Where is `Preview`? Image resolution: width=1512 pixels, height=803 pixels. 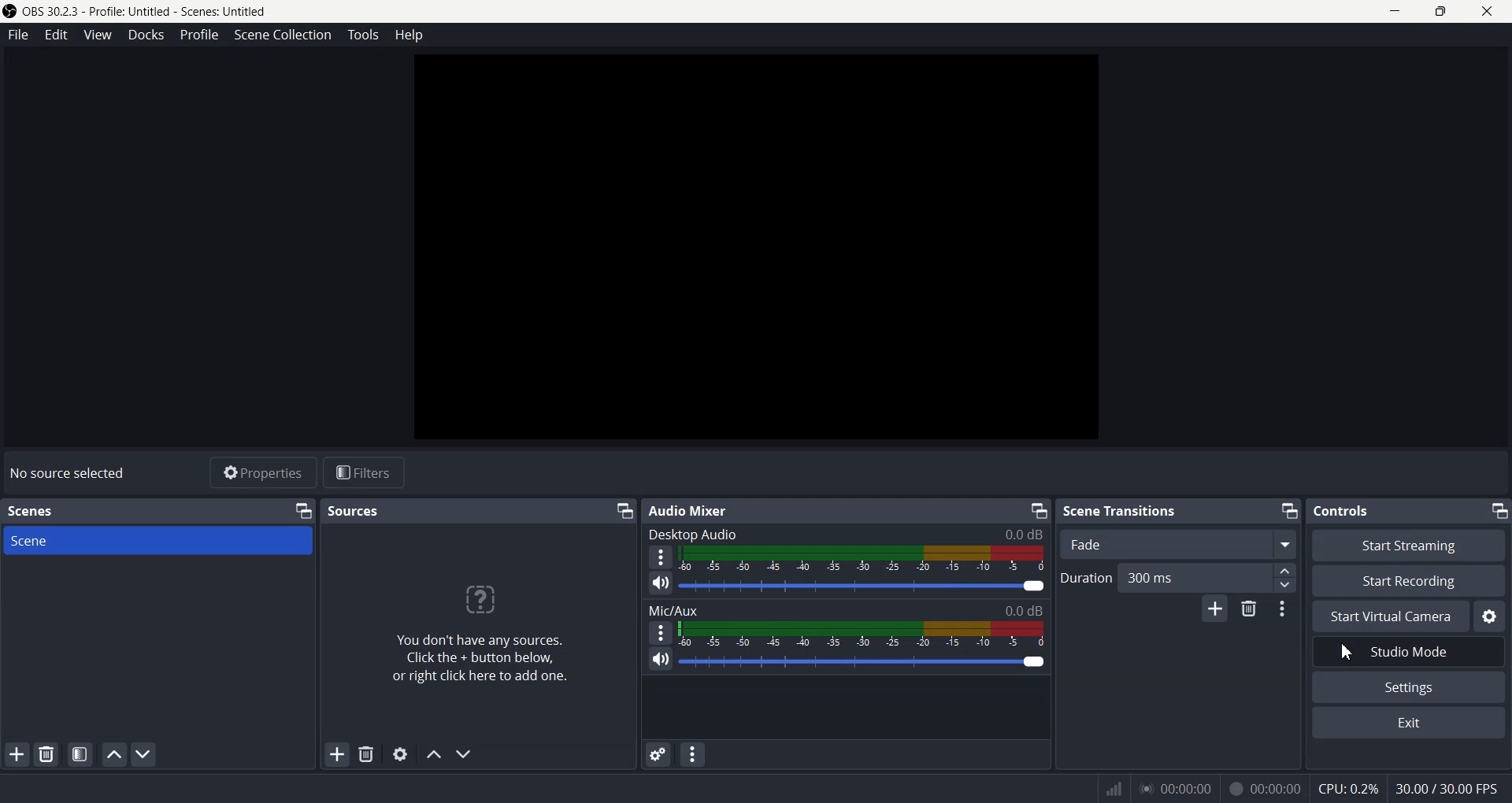
Preview is located at coordinates (755, 247).